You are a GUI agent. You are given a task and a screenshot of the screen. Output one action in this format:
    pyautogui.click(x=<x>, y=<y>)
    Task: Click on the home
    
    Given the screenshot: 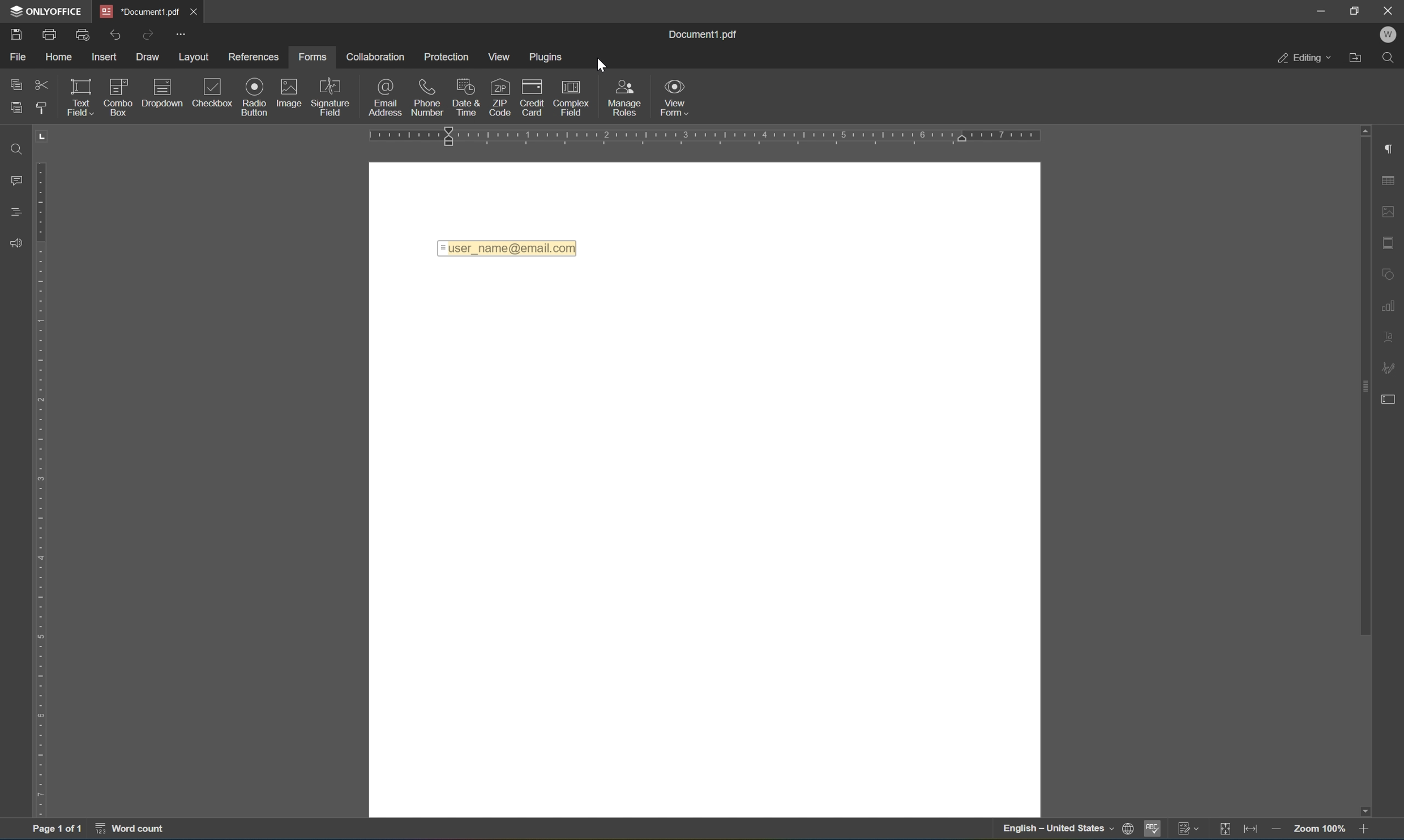 What is the action you would take?
    pyautogui.click(x=62, y=57)
    